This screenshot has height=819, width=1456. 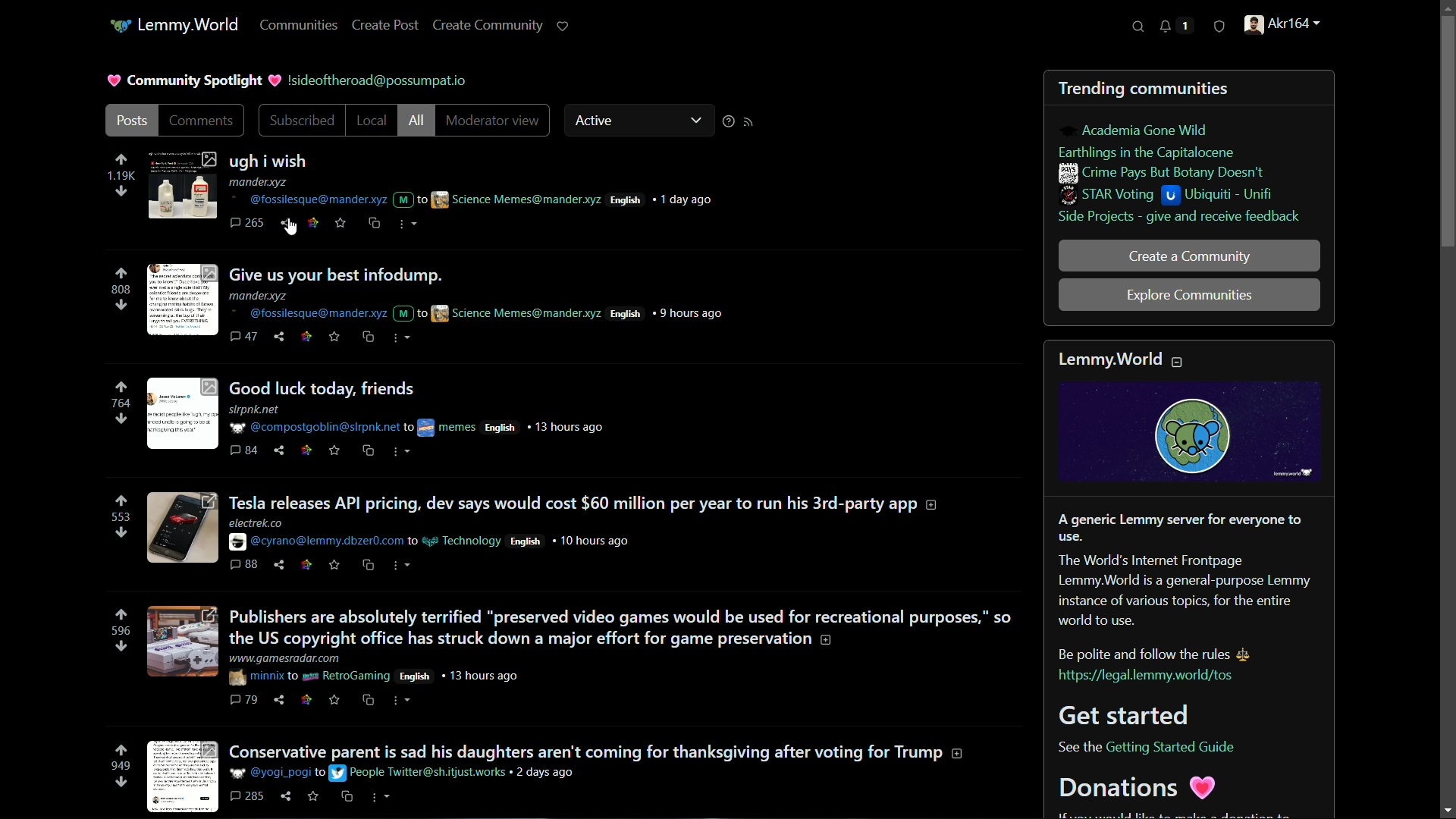 I want to click on 949, so click(x=119, y=767).